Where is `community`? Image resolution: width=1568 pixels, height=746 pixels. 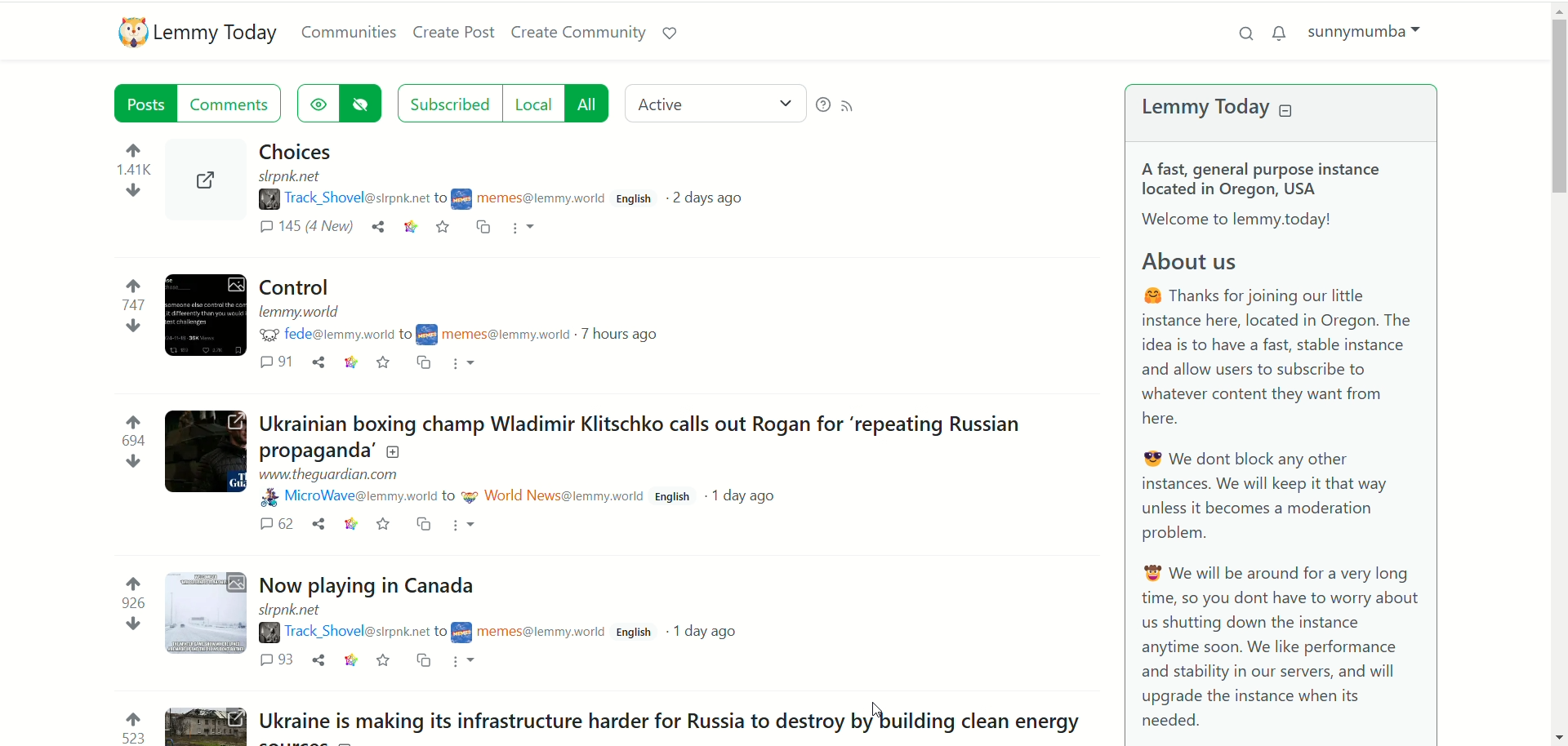 community is located at coordinates (492, 331).